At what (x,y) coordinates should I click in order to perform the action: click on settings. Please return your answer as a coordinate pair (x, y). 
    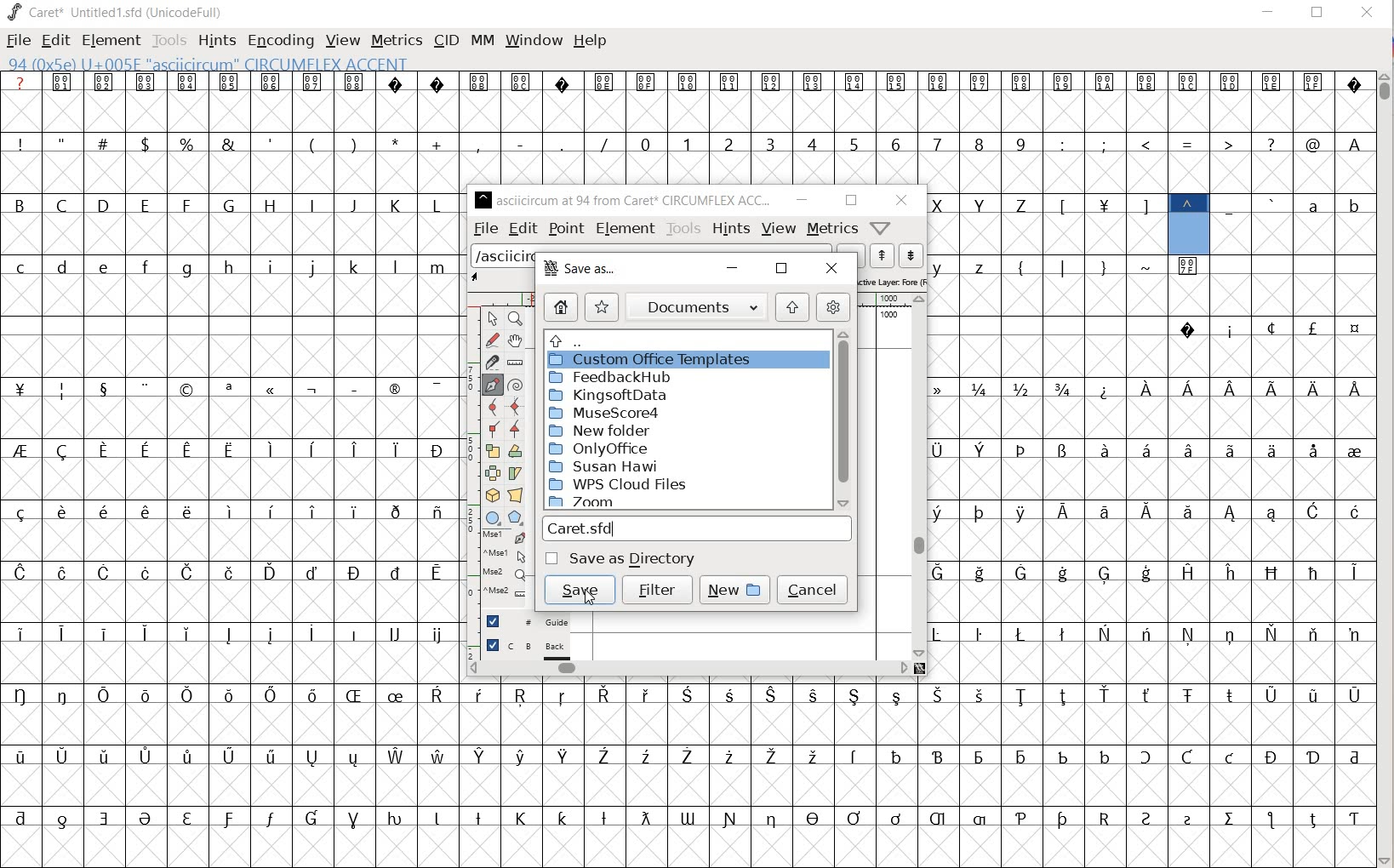
    Looking at the image, I should click on (833, 307).